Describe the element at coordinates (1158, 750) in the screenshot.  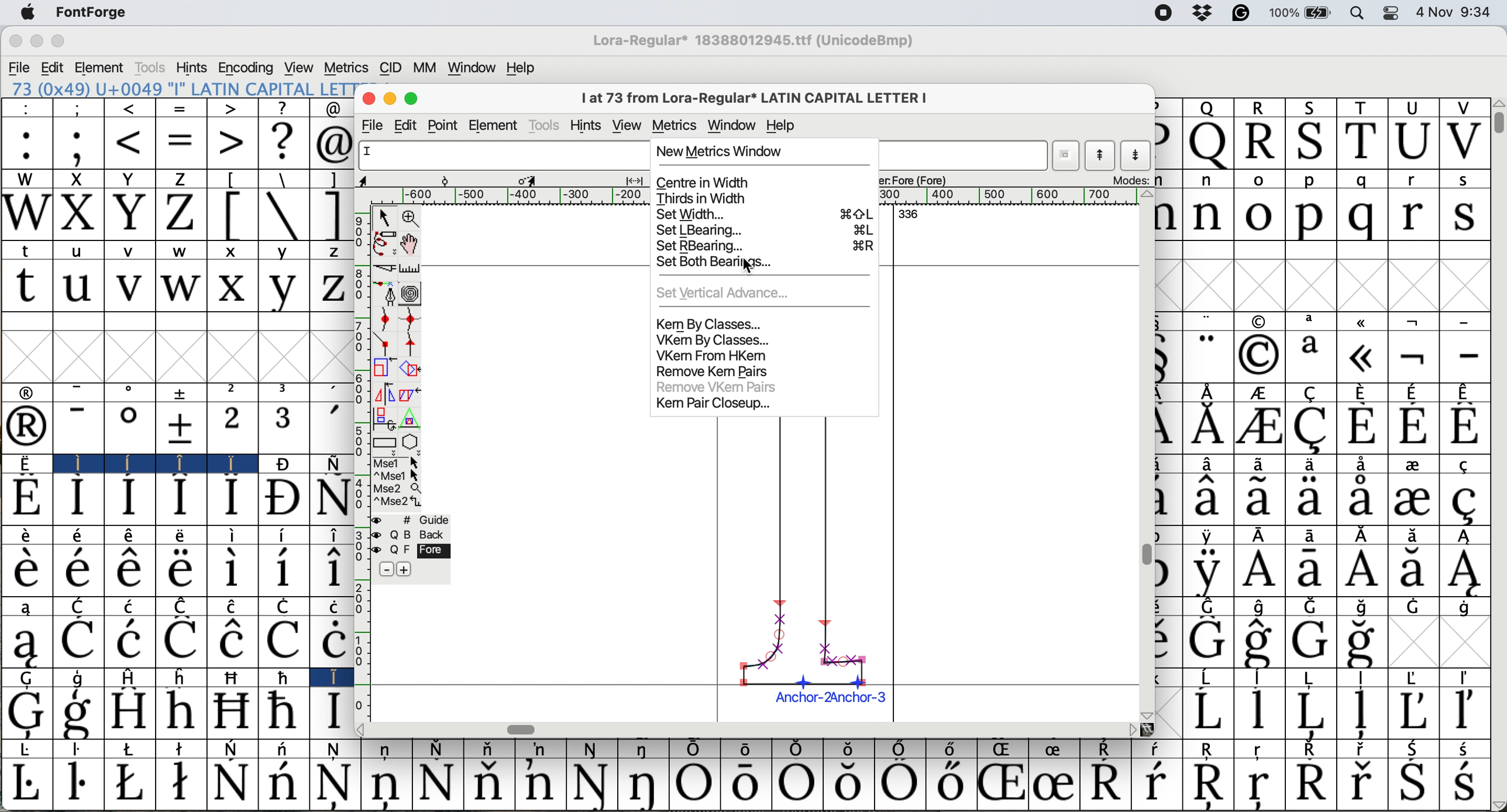
I see `Symbol` at that location.